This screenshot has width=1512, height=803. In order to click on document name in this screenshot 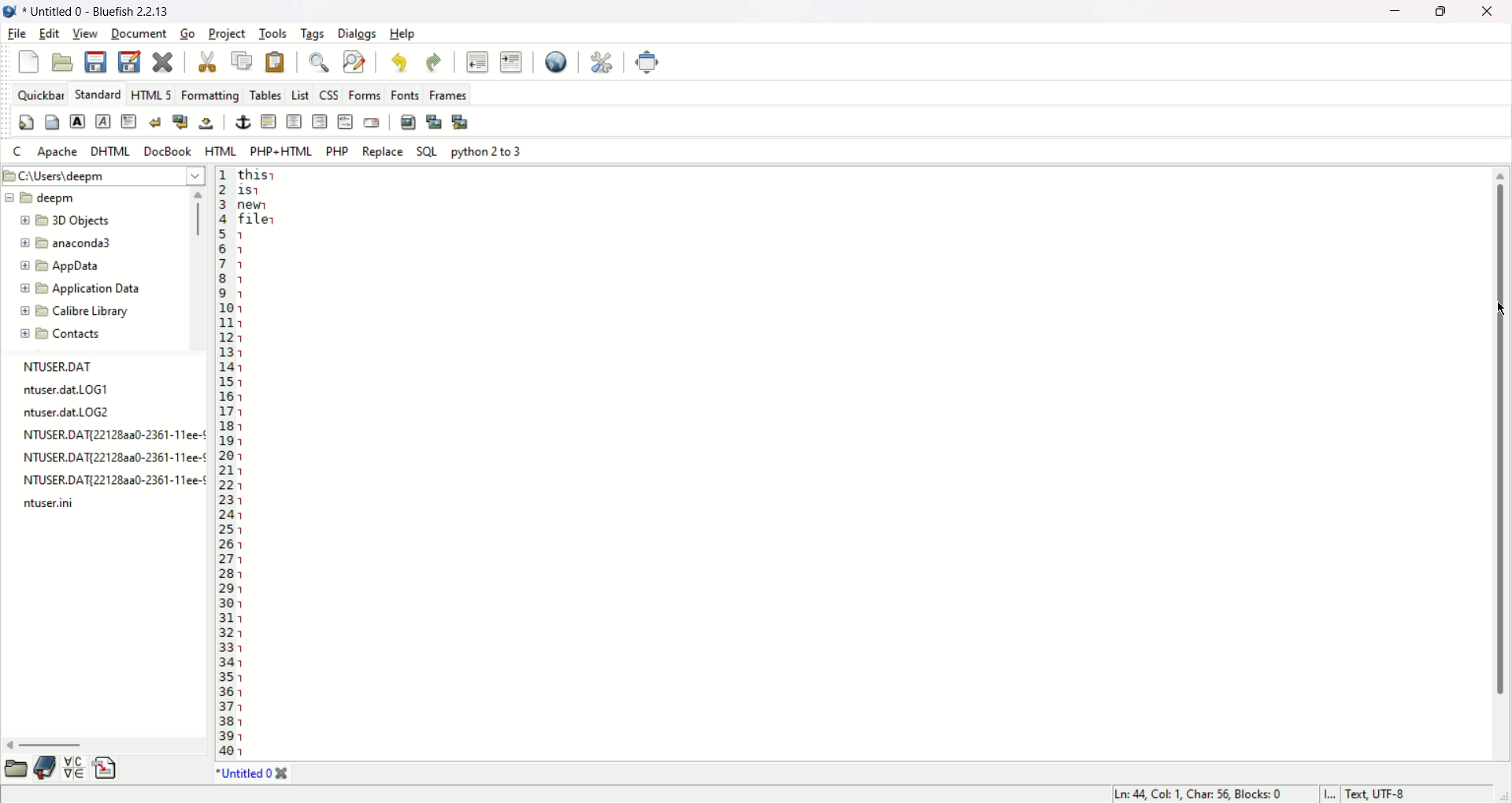, I will do `click(109, 10)`.